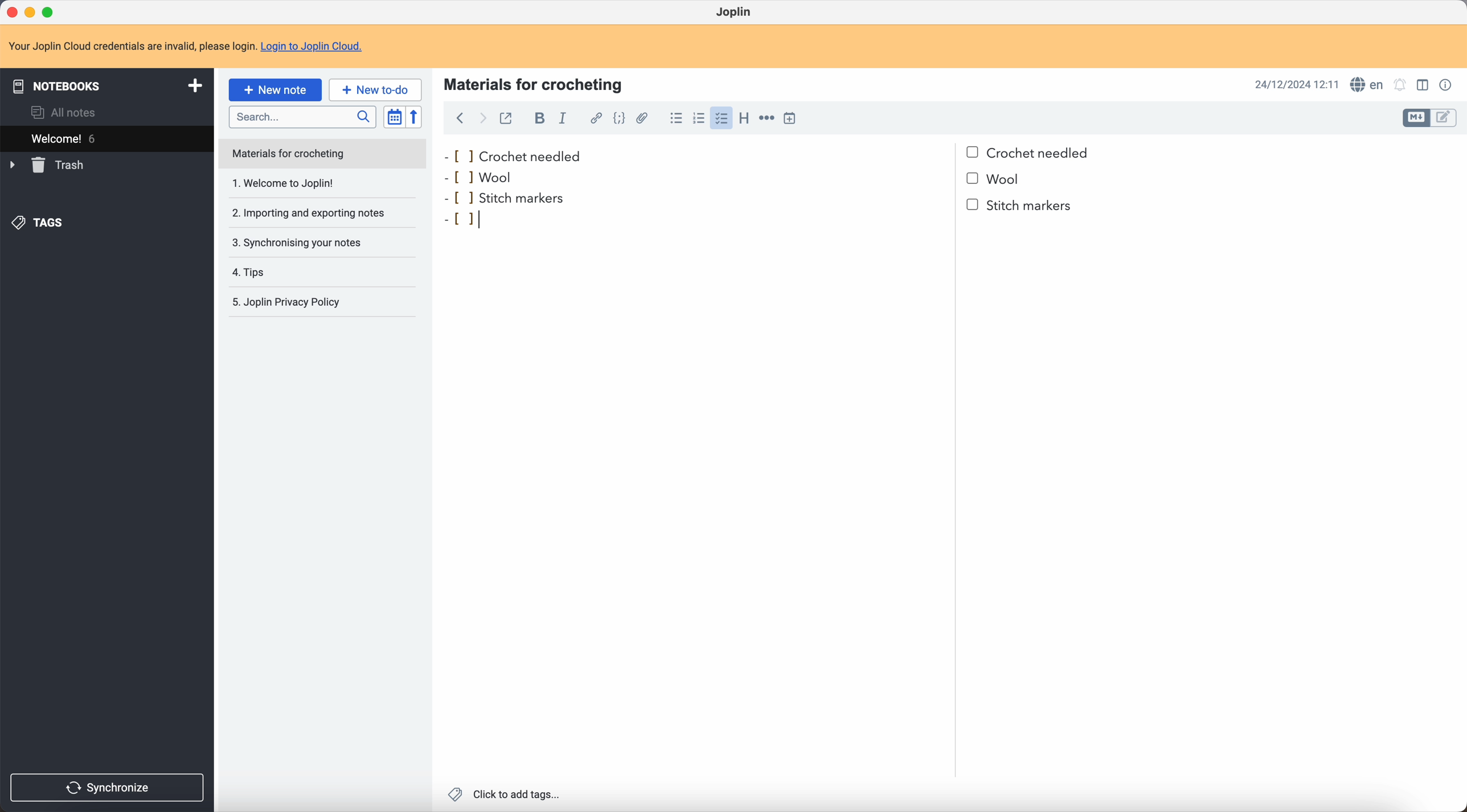  What do you see at coordinates (792, 118) in the screenshot?
I see `insert time` at bounding box center [792, 118].